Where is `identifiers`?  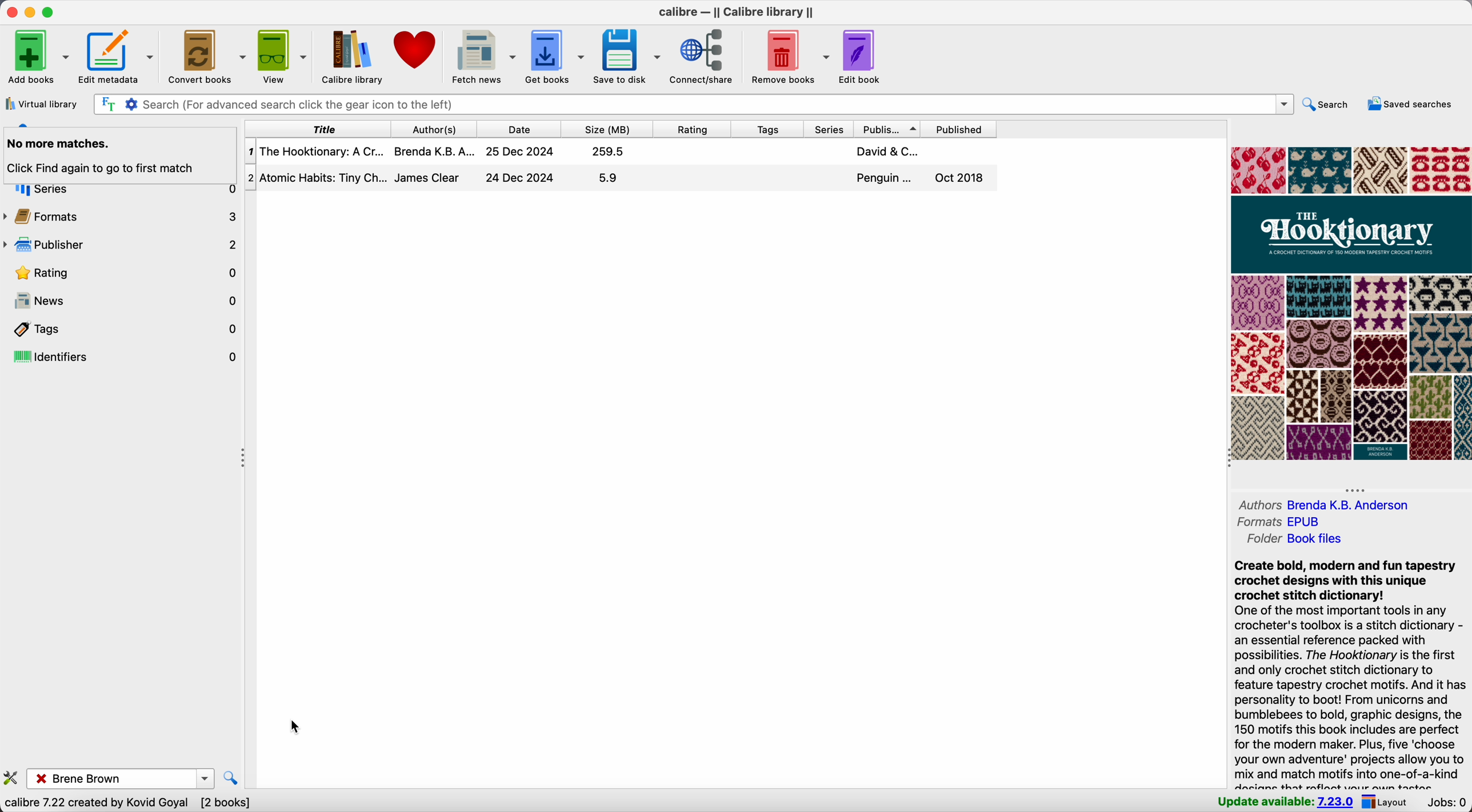
identifiers is located at coordinates (123, 355).